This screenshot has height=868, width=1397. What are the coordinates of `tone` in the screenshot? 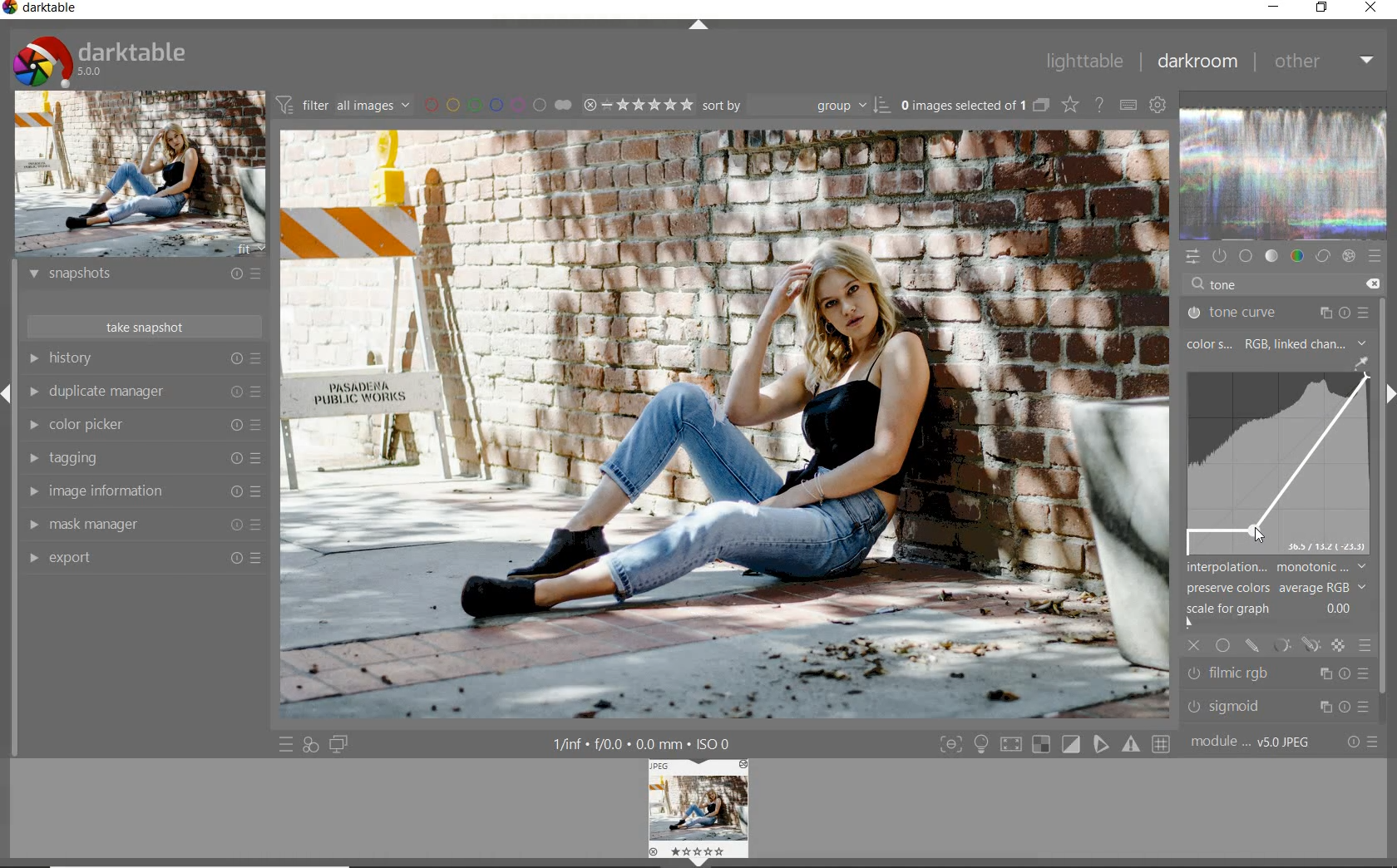 It's located at (1272, 257).